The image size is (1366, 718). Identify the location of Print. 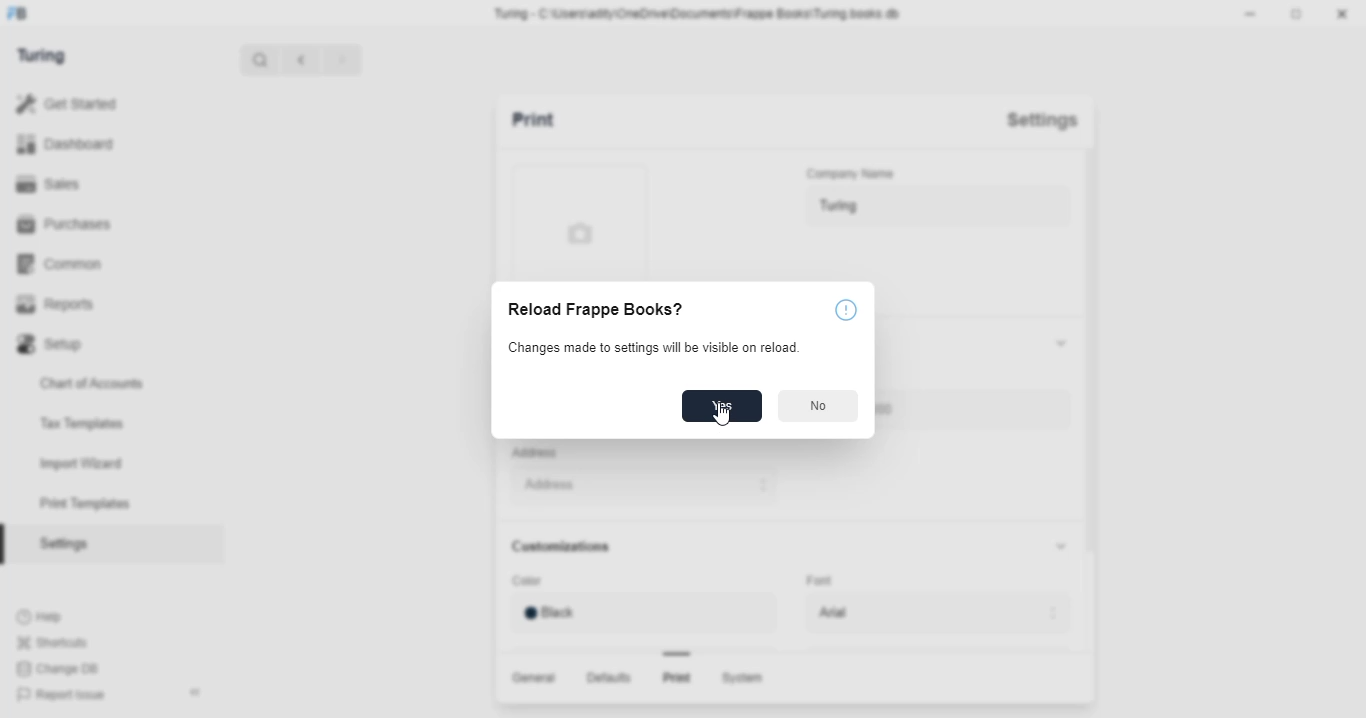
(673, 680).